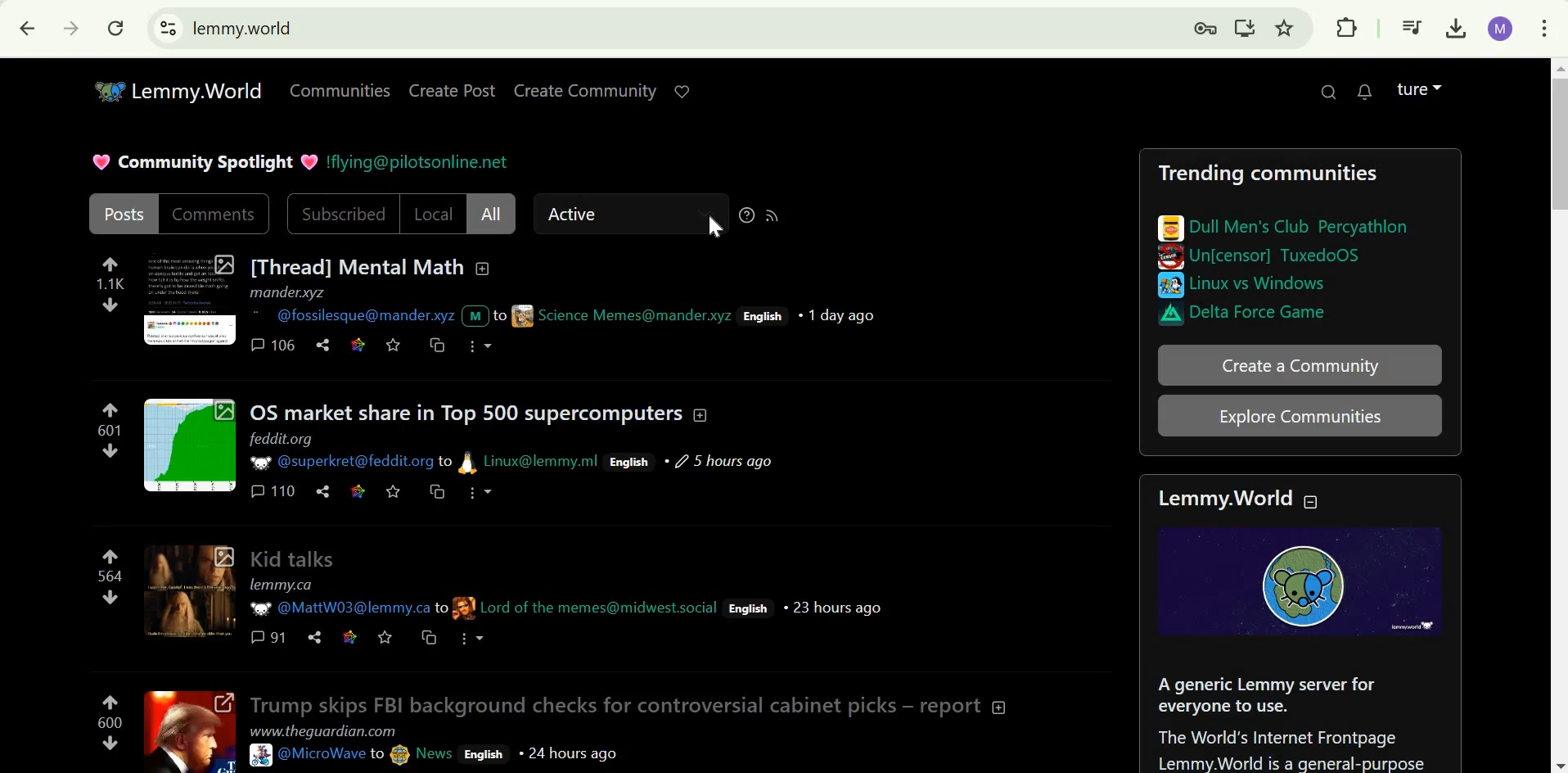 The image size is (1568, 773). I want to click on RSS, so click(772, 215).